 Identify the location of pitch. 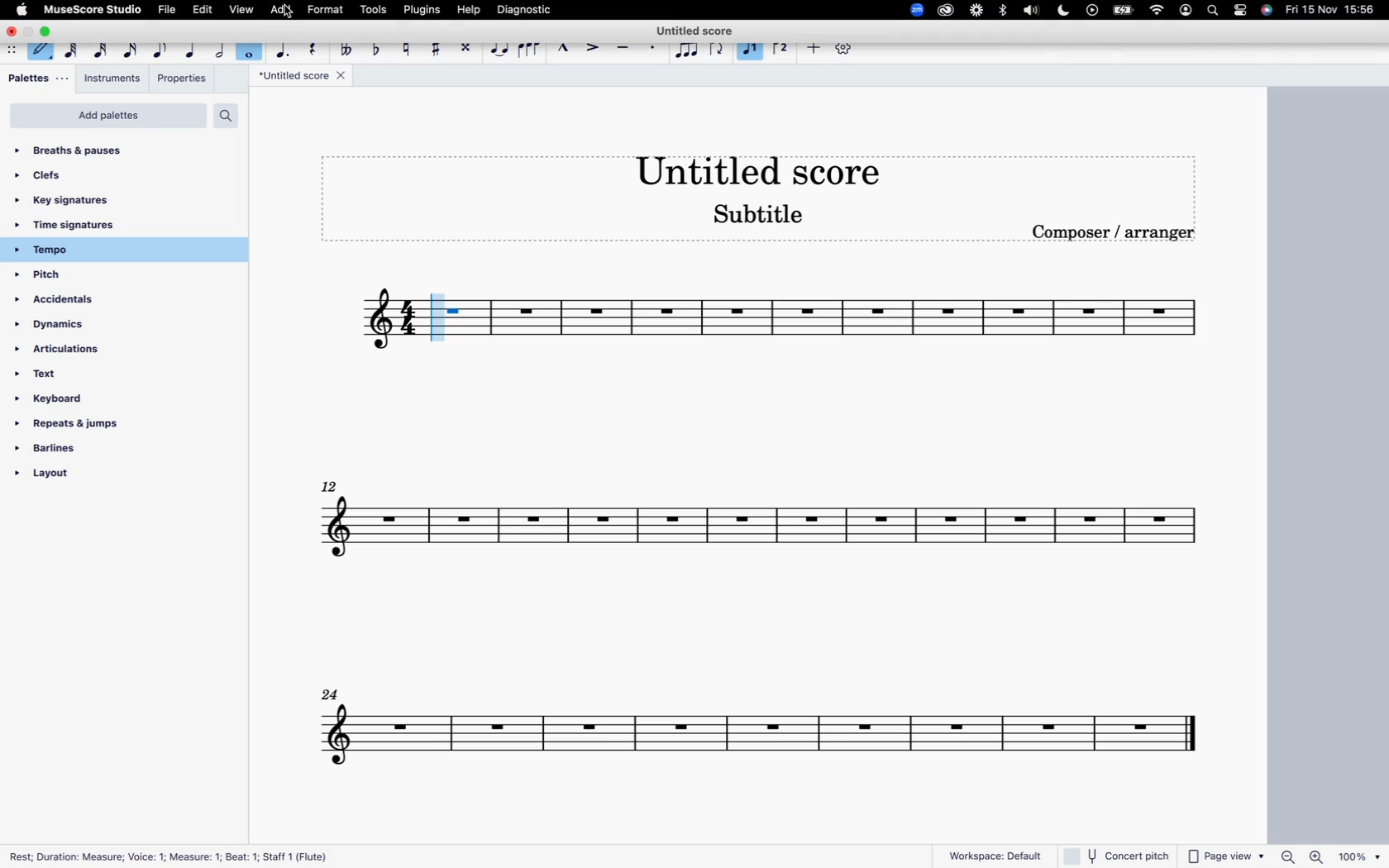
(84, 276).